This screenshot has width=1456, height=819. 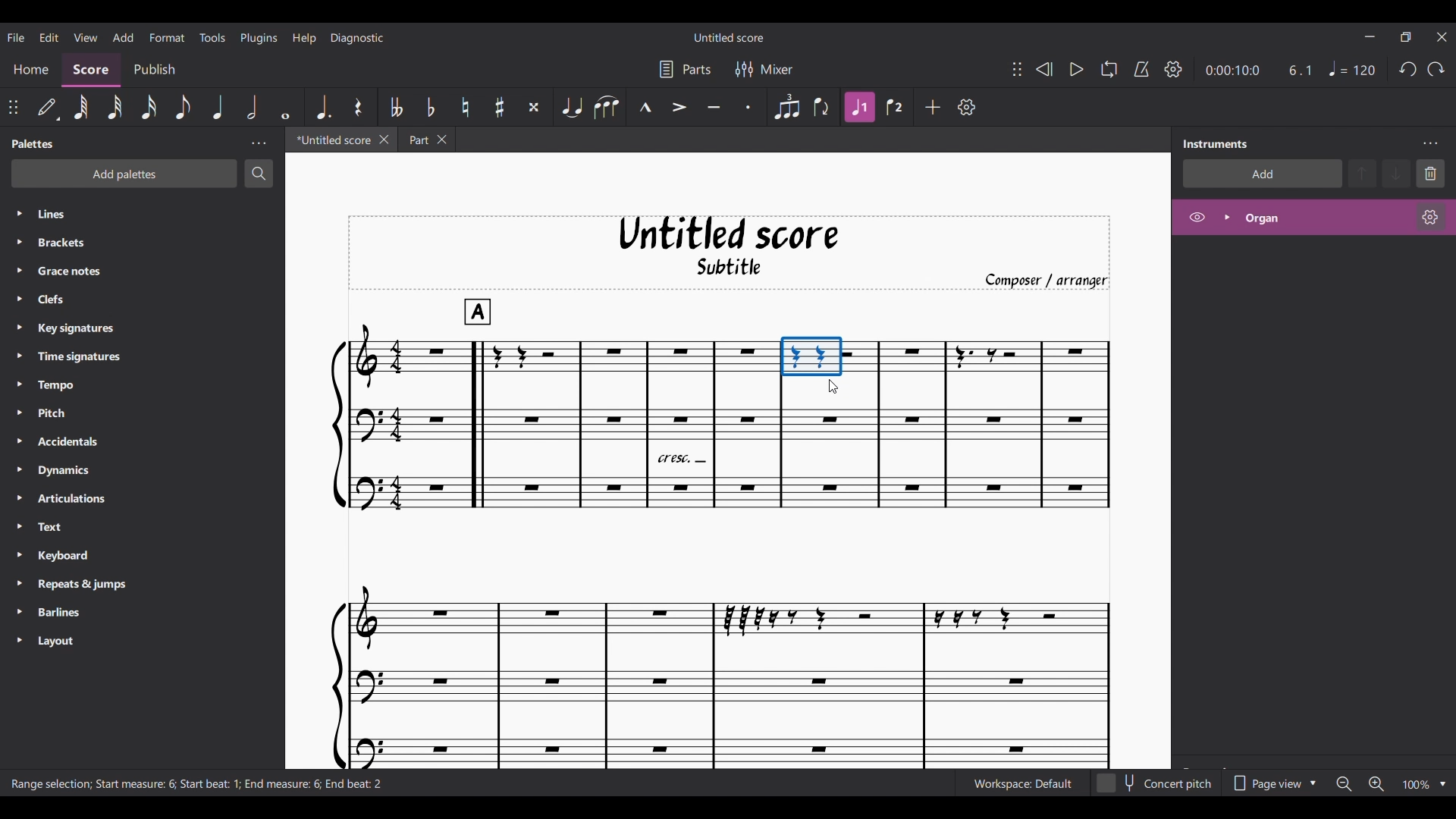 What do you see at coordinates (1259, 71) in the screenshot?
I see `Current ratio and duration of score` at bounding box center [1259, 71].